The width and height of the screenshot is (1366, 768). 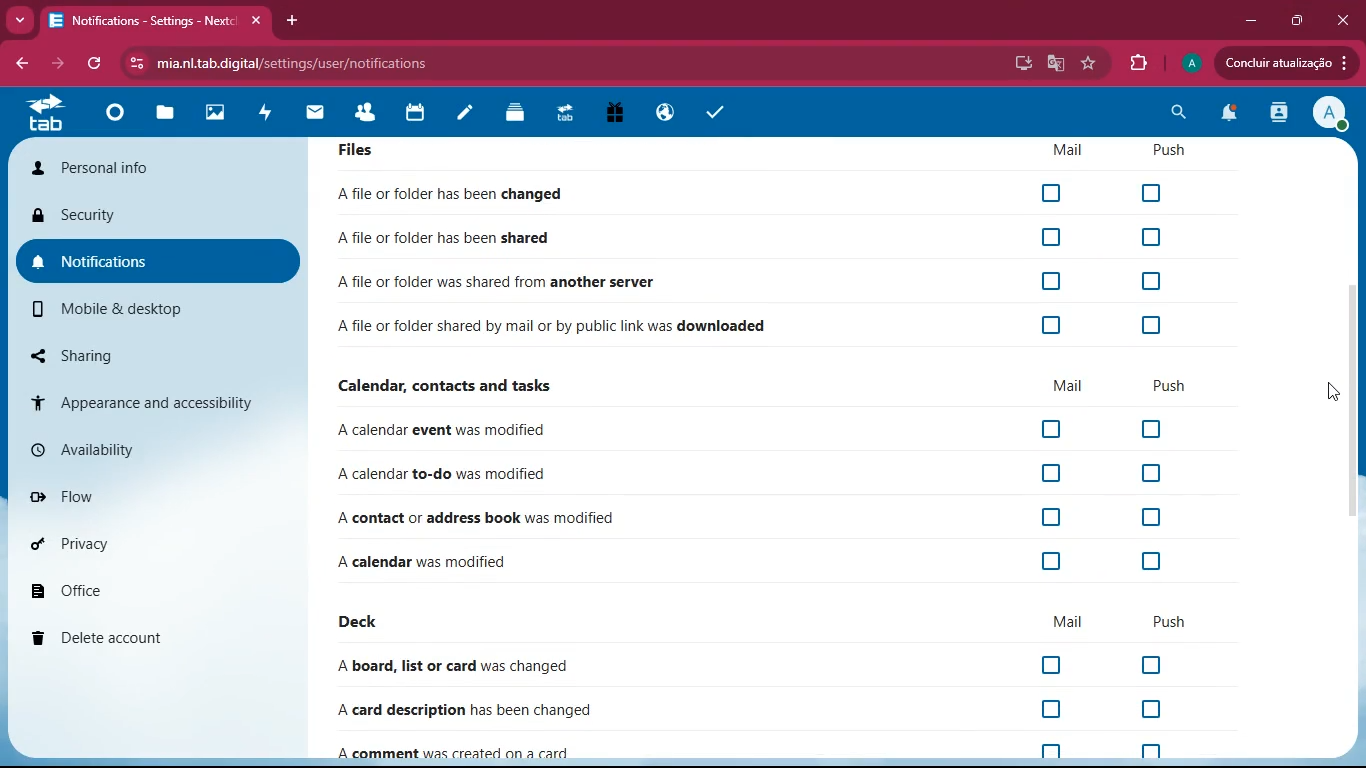 What do you see at coordinates (1155, 561) in the screenshot?
I see `off` at bounding box center [1155, 561].